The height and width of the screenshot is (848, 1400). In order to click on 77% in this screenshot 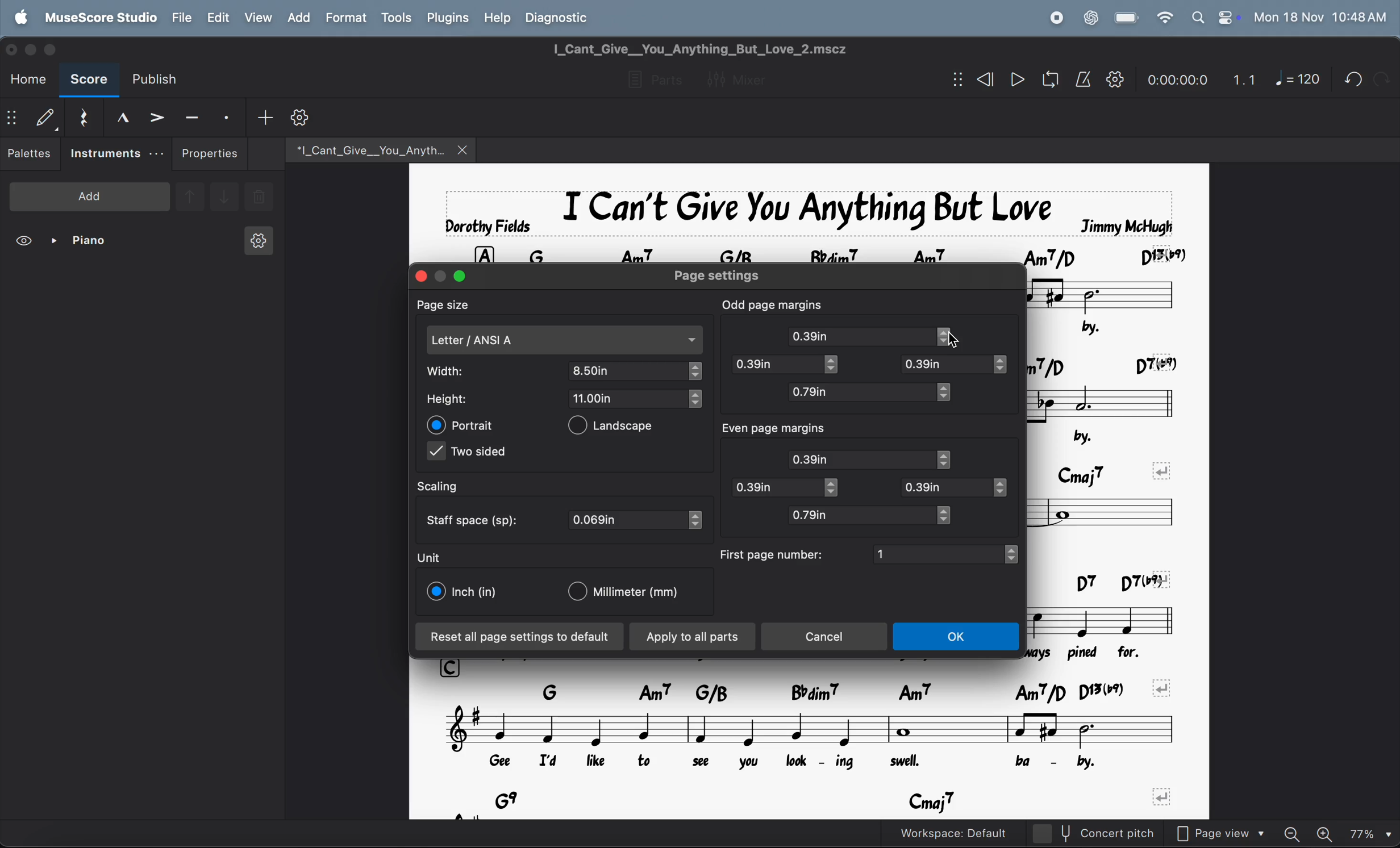, I will do `click(1370, 832)`.